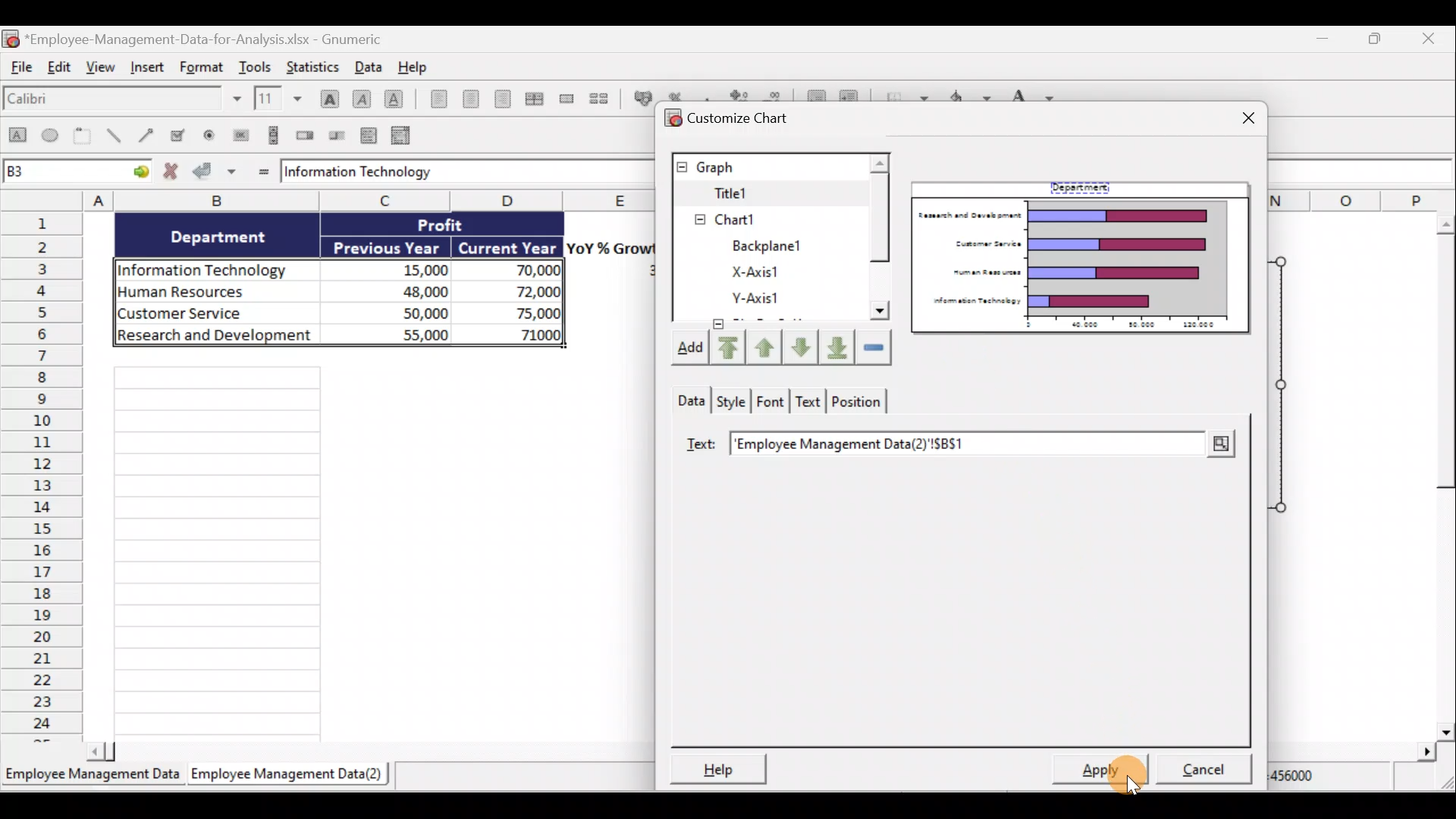 The width and height of the screenshot is (1456, 819). What do you see at coordinates (327, 93) in the screenshot?
I see `Bold` at bounding box center [327, 93].